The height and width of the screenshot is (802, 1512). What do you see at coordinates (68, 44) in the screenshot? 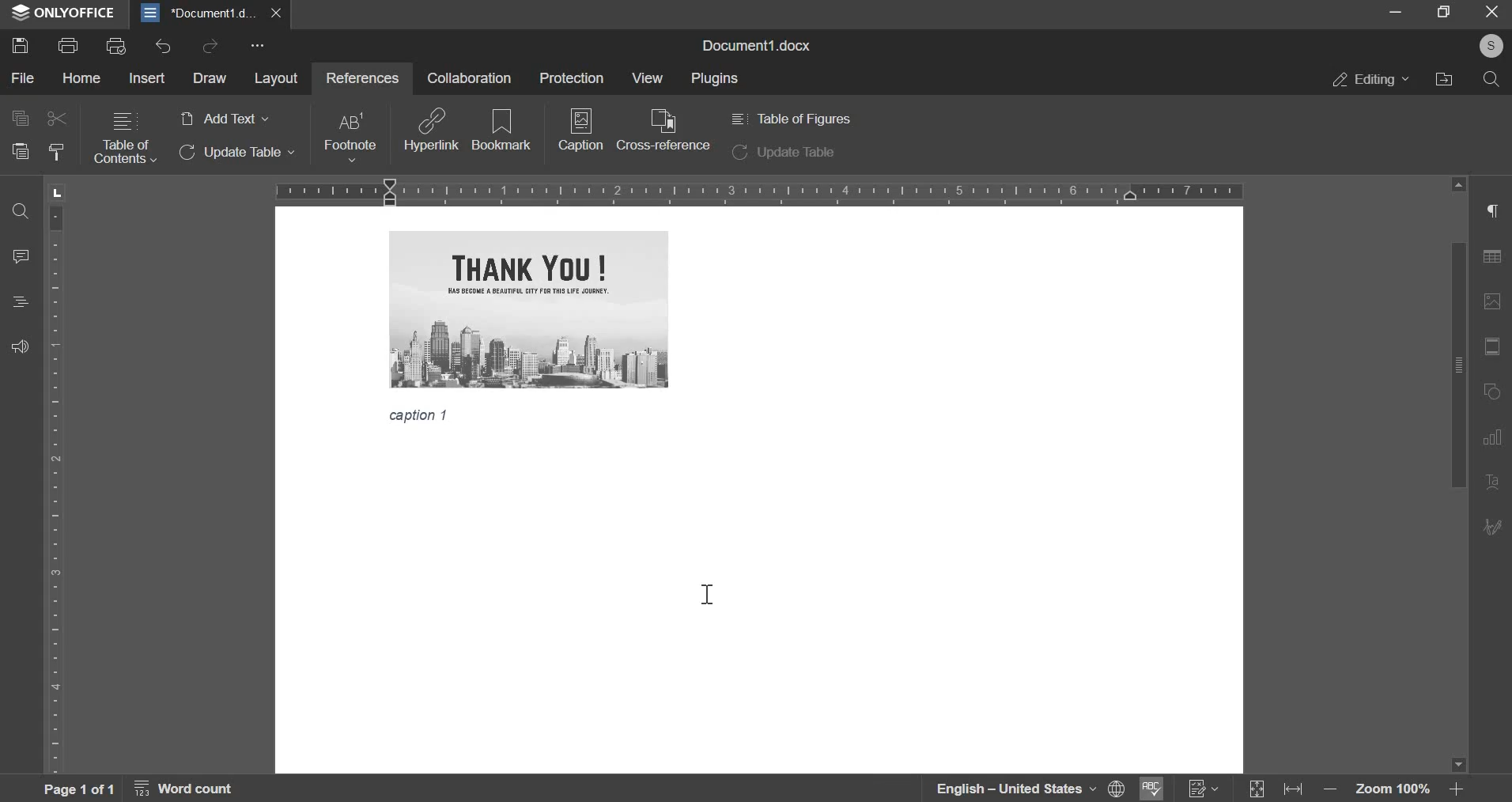
I see `print` at bounding box center [68, 44].